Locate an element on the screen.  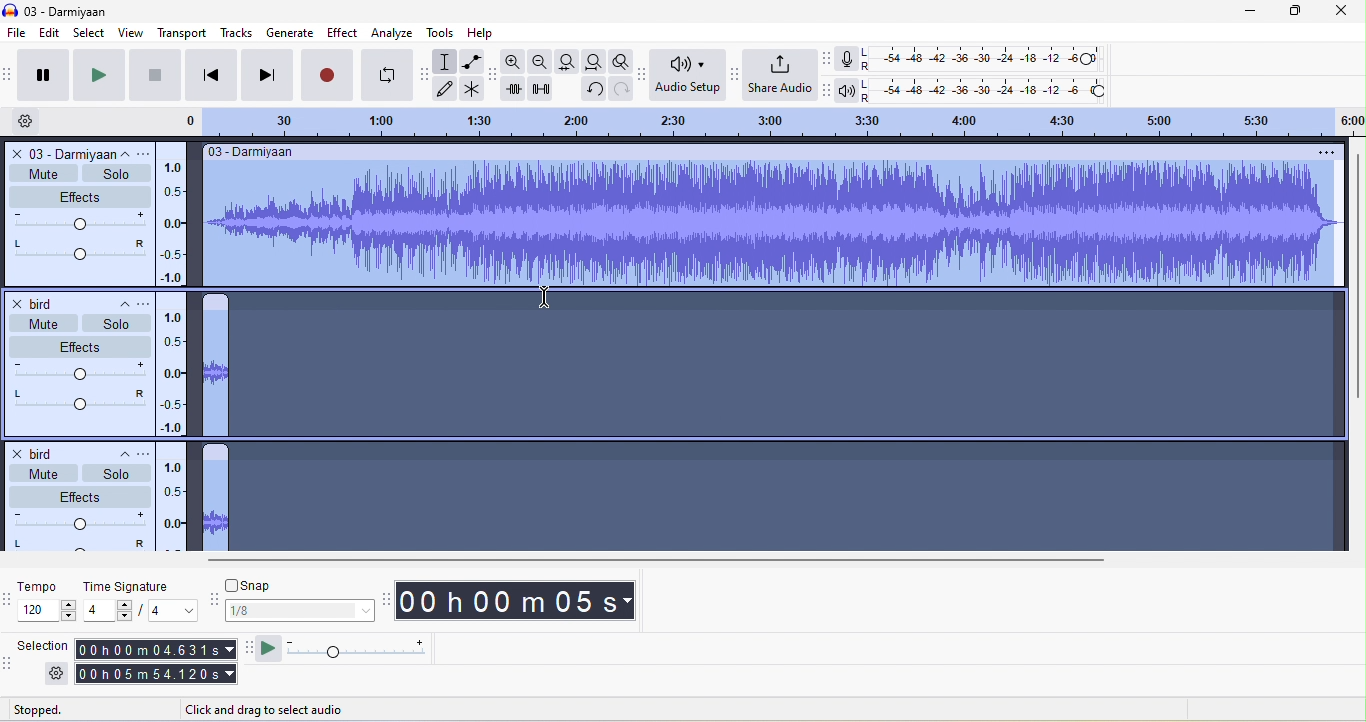
record is located at coordinates (330, 73).